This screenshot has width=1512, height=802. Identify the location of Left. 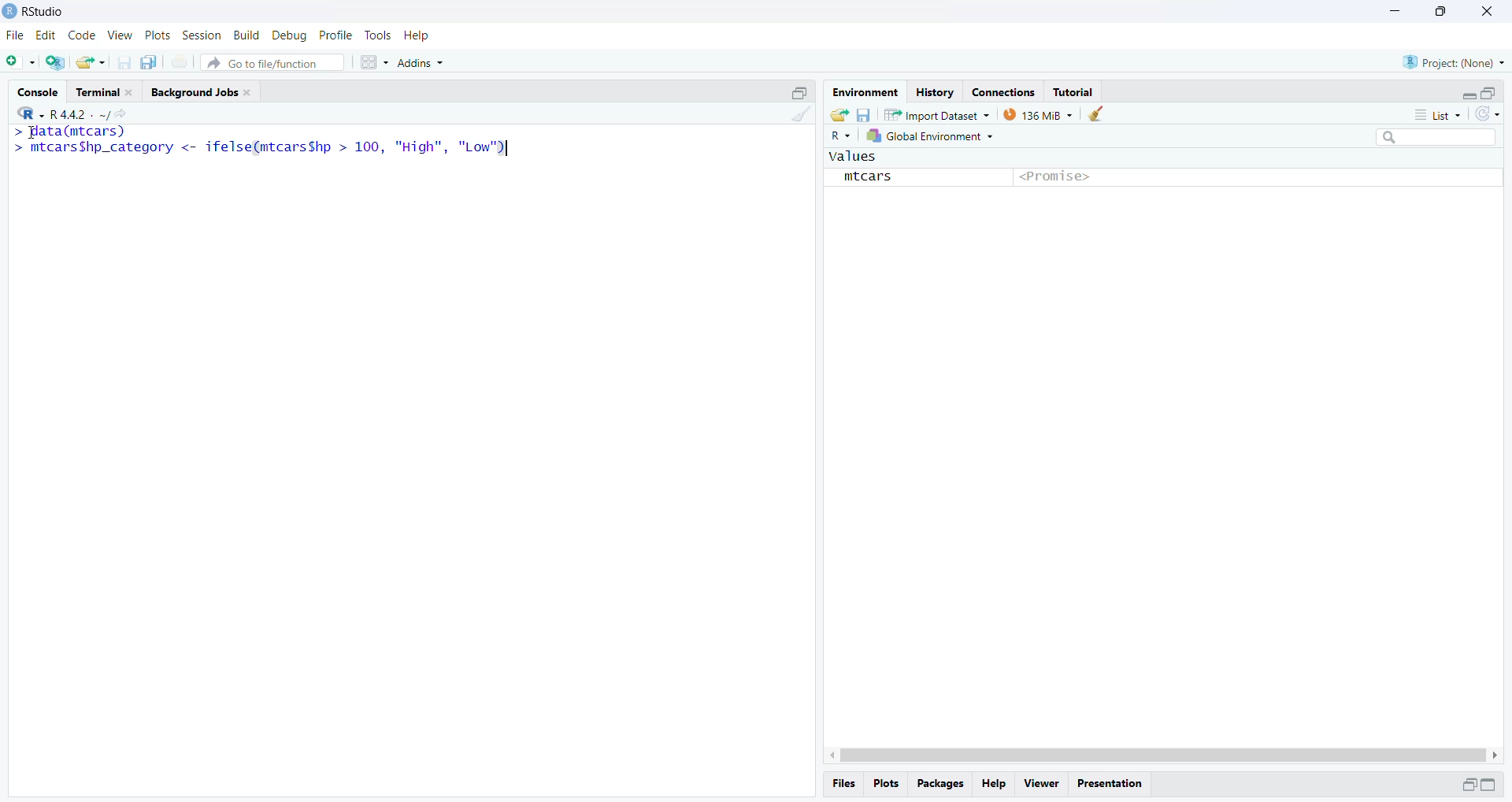
(826, 752).